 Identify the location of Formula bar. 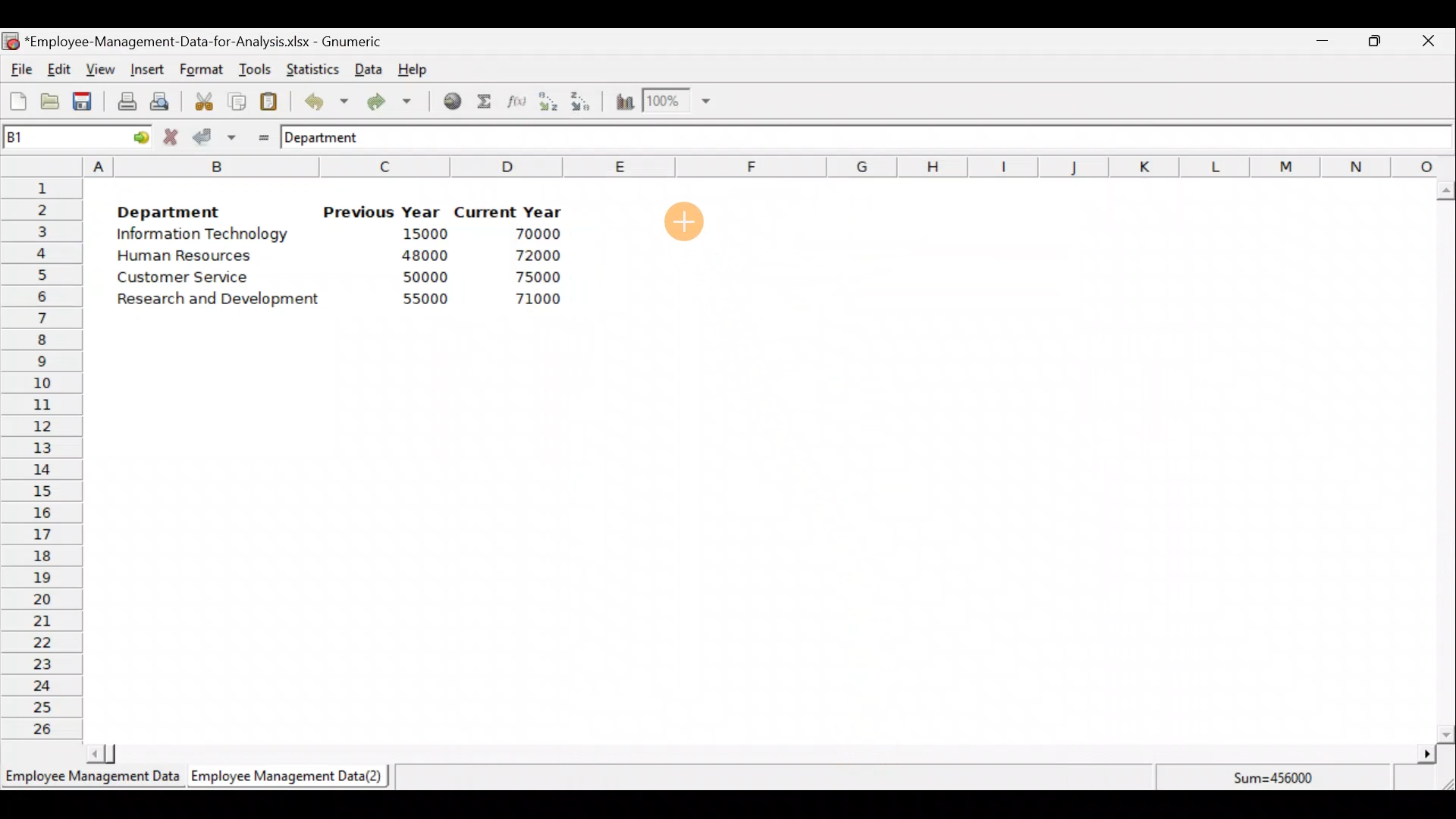
(925, 136).